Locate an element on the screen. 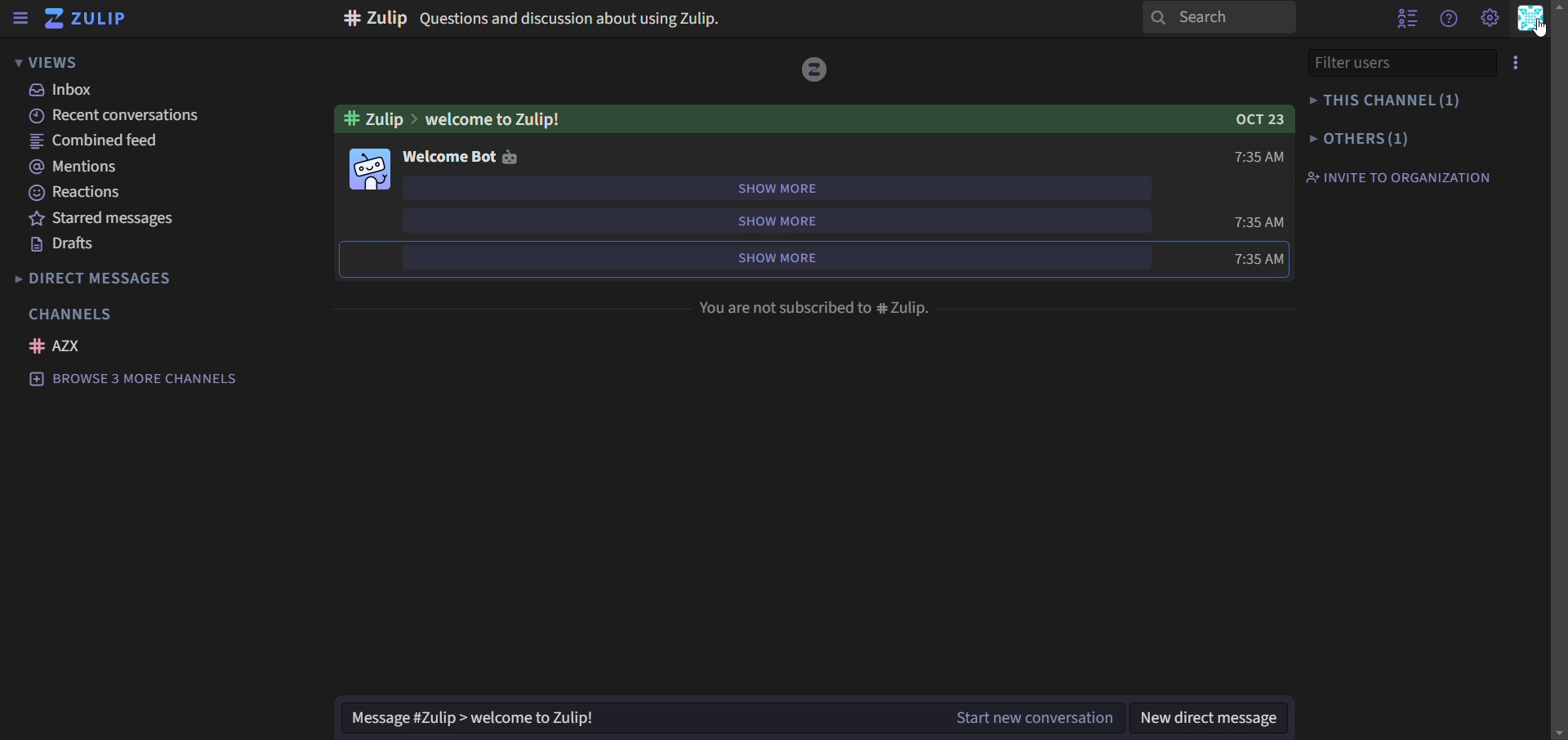 This screenshot has height=740, width=1568. recent conversations is located at coordinates (117, 118).